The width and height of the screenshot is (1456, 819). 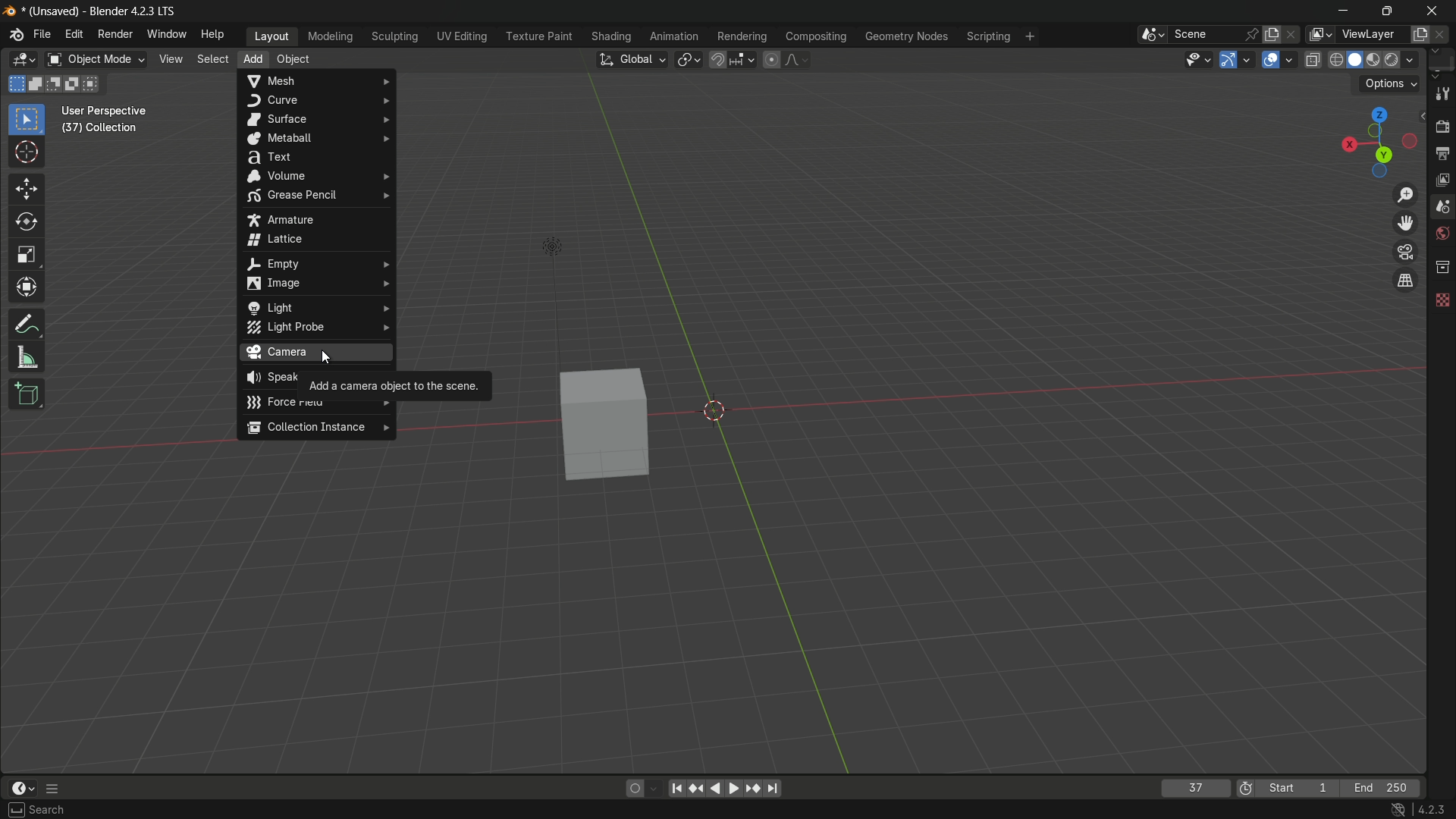 What do you see at coordinates (60, 789) in the screenshot?
I see `more options` at bounding box center [60, 789].